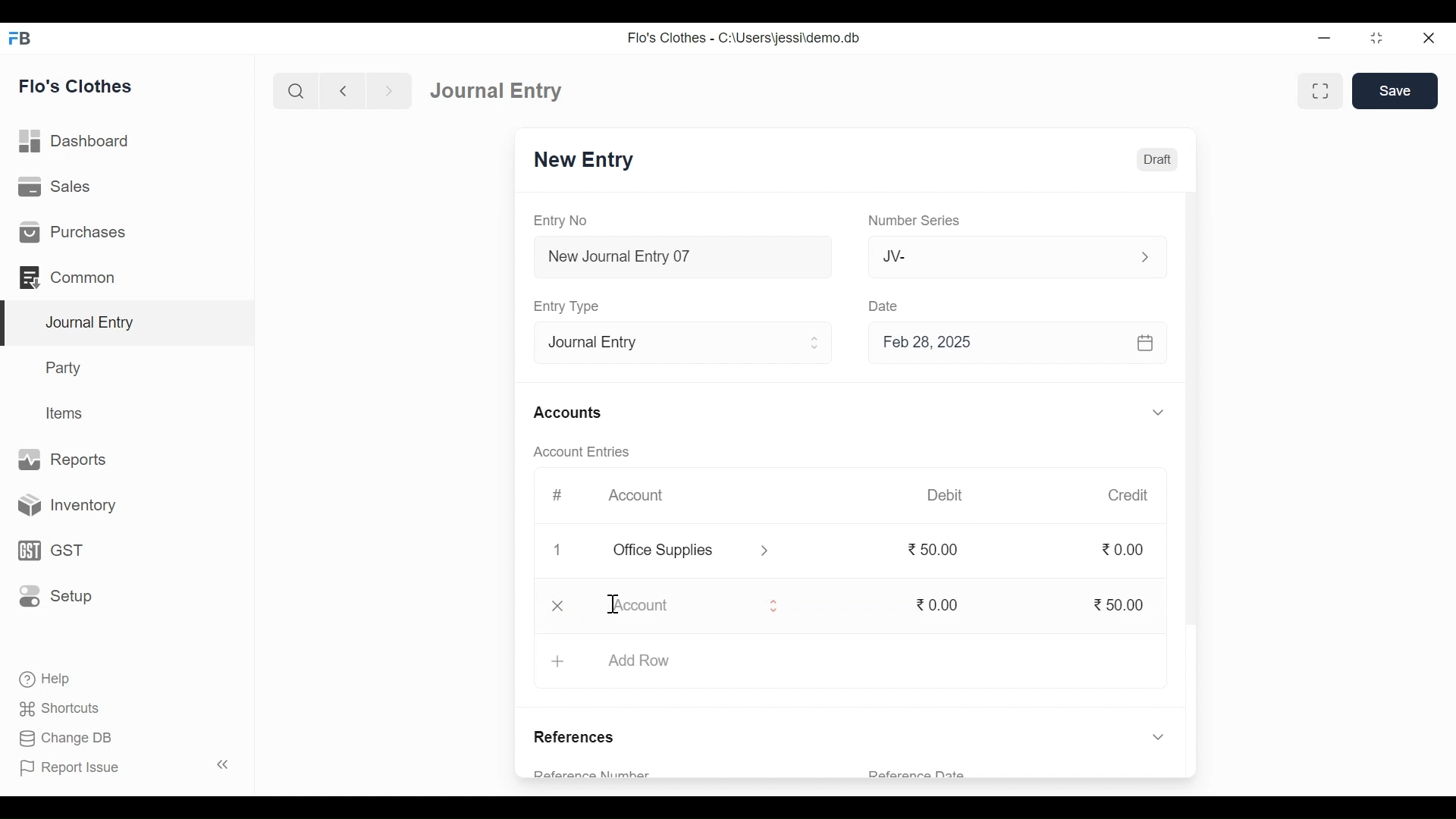  What do you see at coordinates (560, 220) in the screenshot?
I see `Entry No` at bounding box center [560, 220].